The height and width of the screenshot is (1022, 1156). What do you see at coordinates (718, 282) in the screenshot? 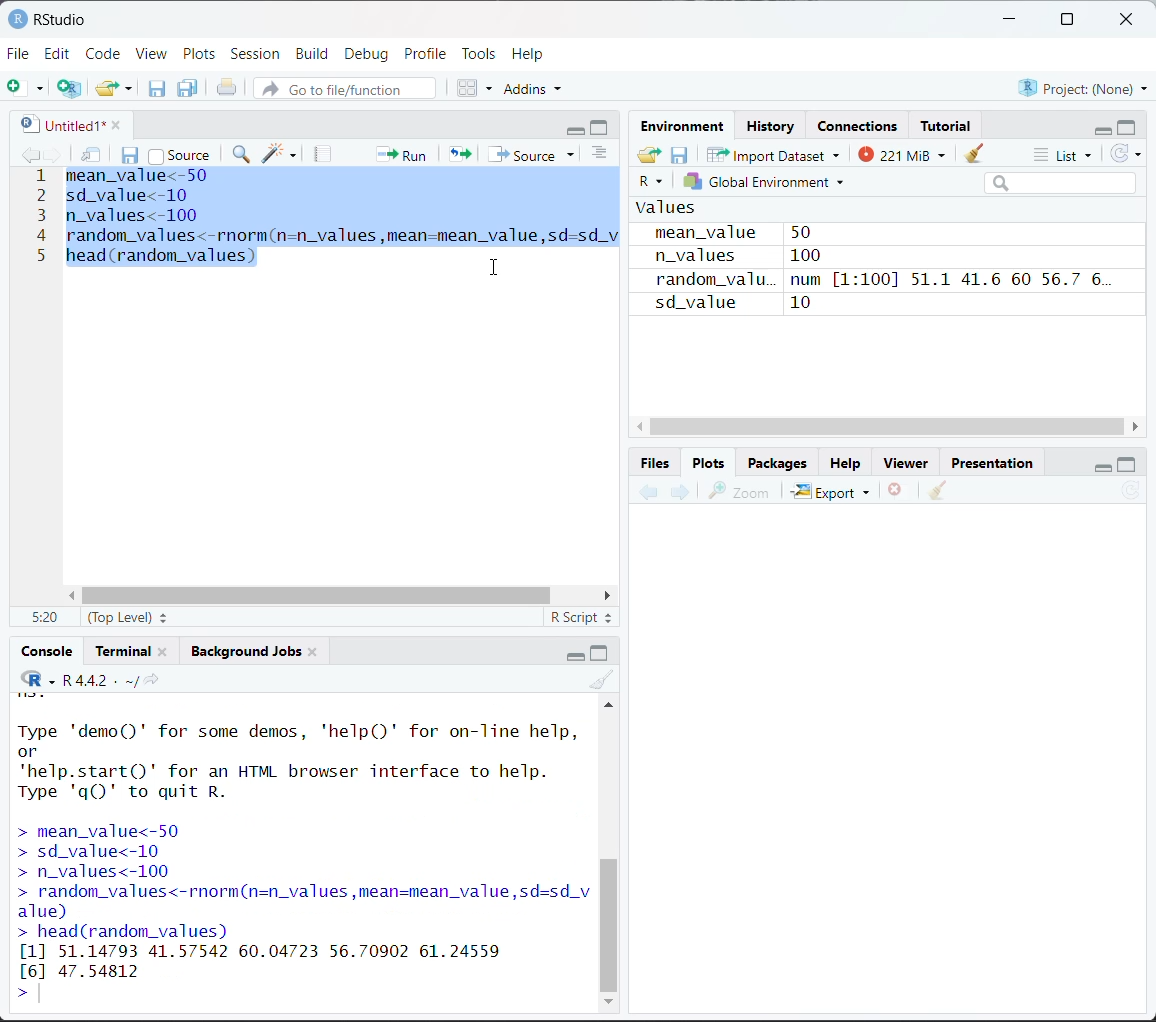
I see `random_valu.` at bounding box center [718, 282].